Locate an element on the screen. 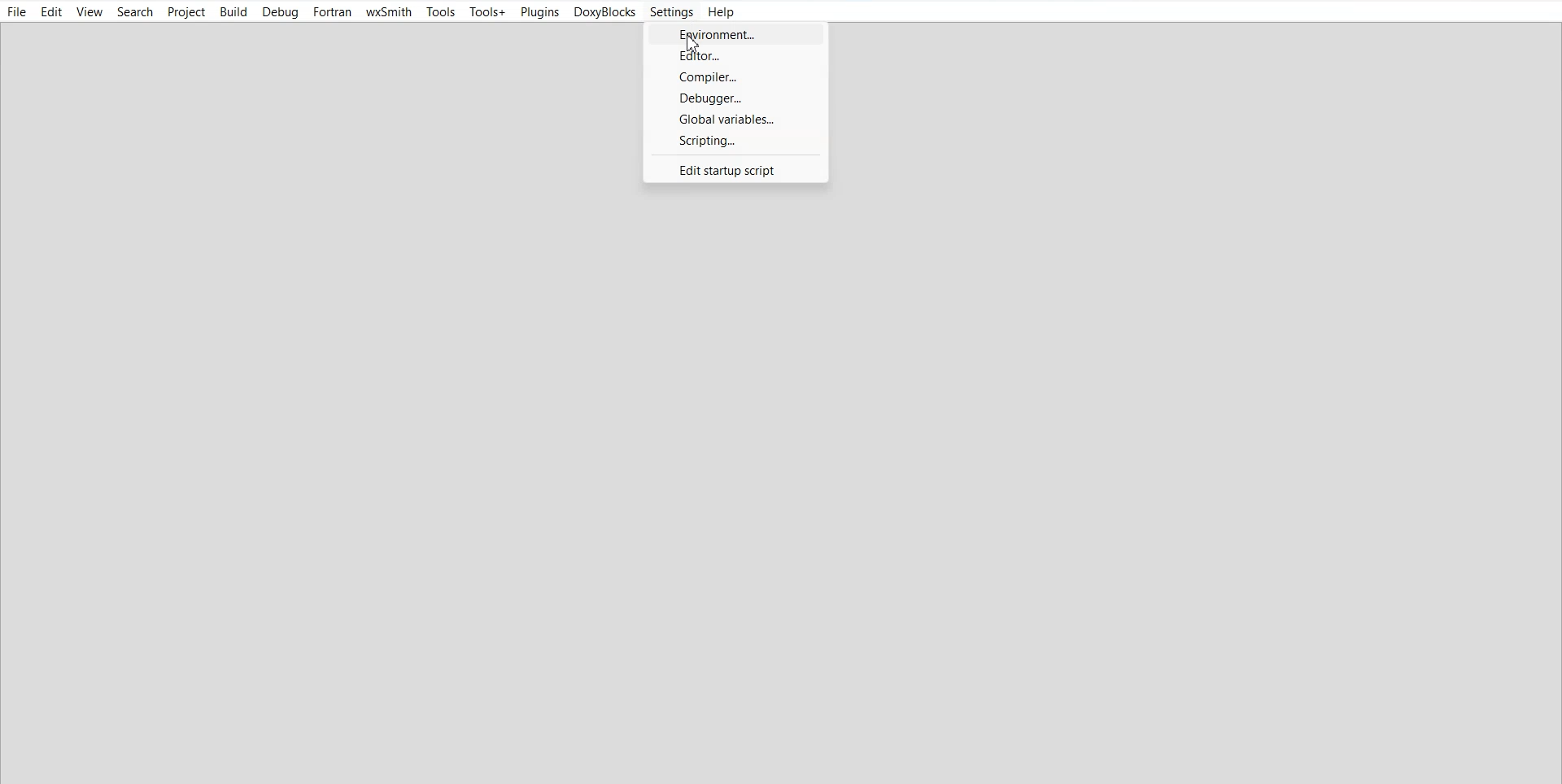 Image resolution: width=1562 pixels, height=784 pixels. Build is located at coordinates (233, 11).